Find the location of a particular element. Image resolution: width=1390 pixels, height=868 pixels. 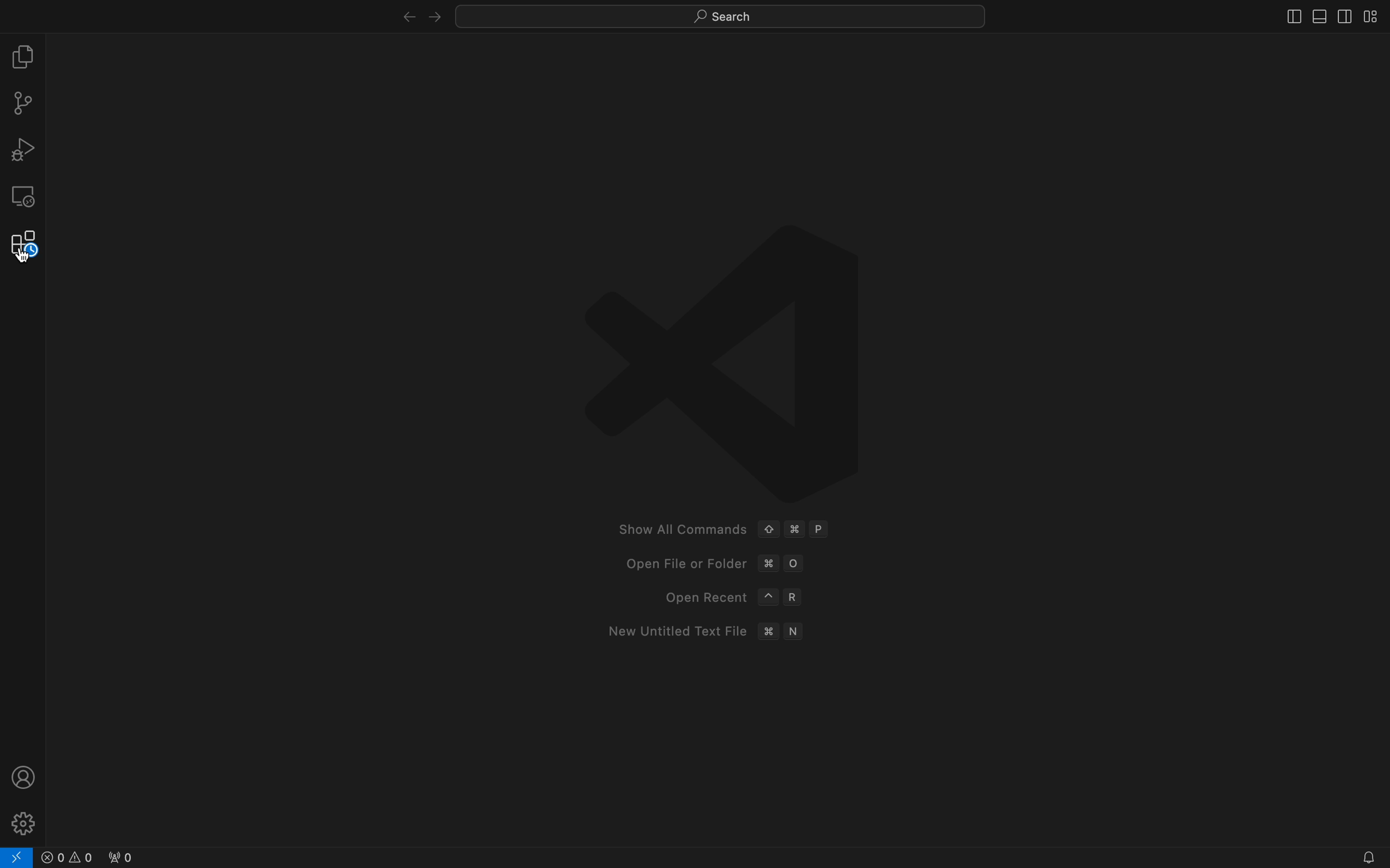

git is located at coordinates (23, 103).